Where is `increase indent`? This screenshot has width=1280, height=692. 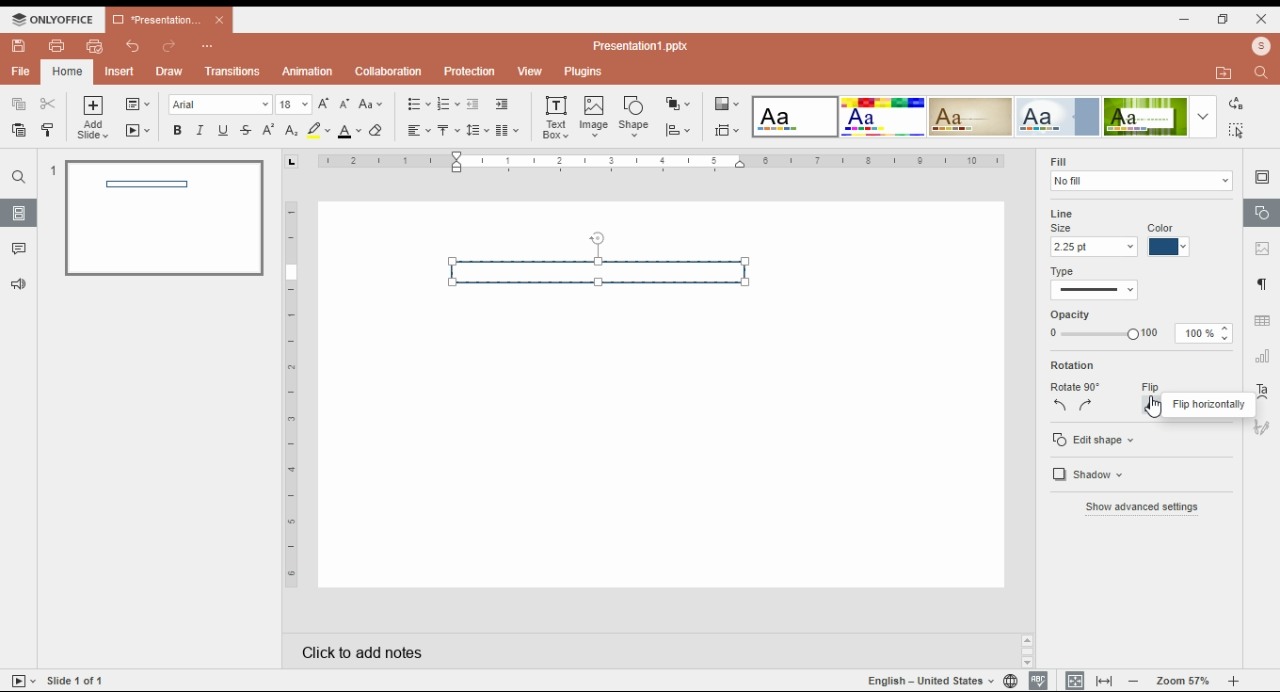
increase indent is located at coordinates (501, 104).